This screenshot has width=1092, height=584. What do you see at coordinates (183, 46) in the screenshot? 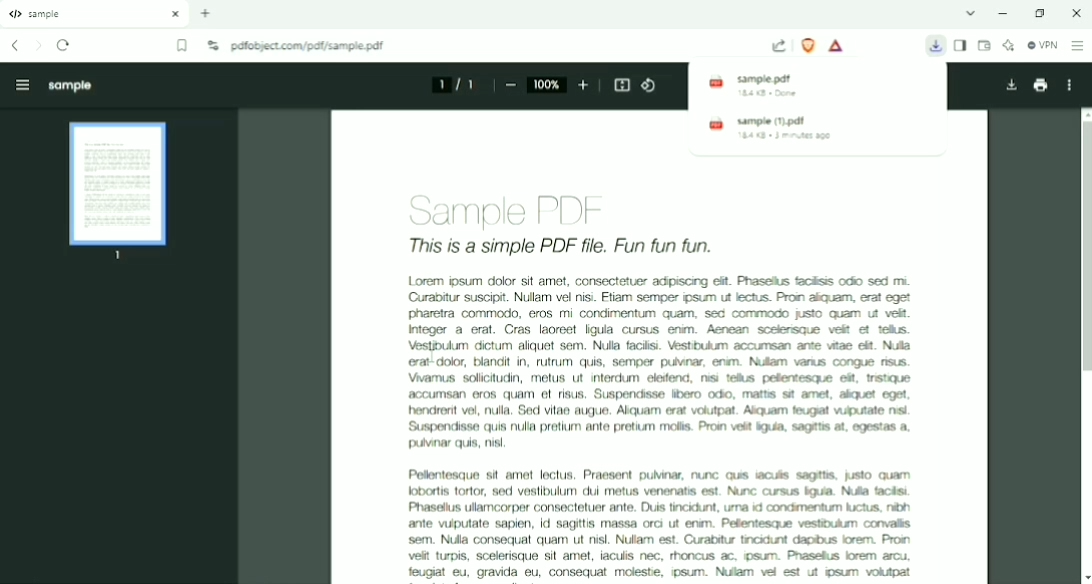
I see `Bookmark this tab` at bounding box center [183, 46].